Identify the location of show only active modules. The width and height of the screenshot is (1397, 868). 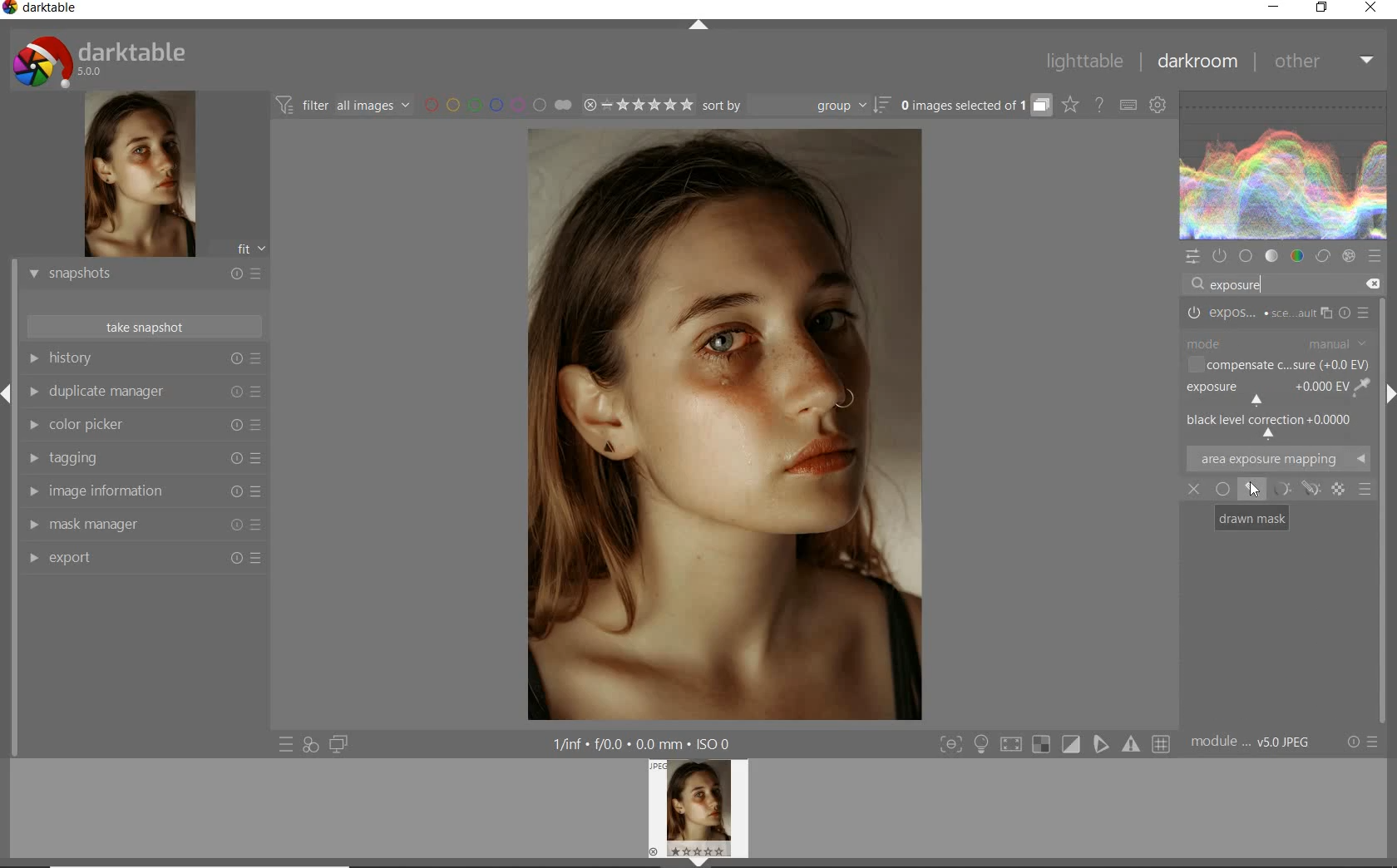
(1219, 257).